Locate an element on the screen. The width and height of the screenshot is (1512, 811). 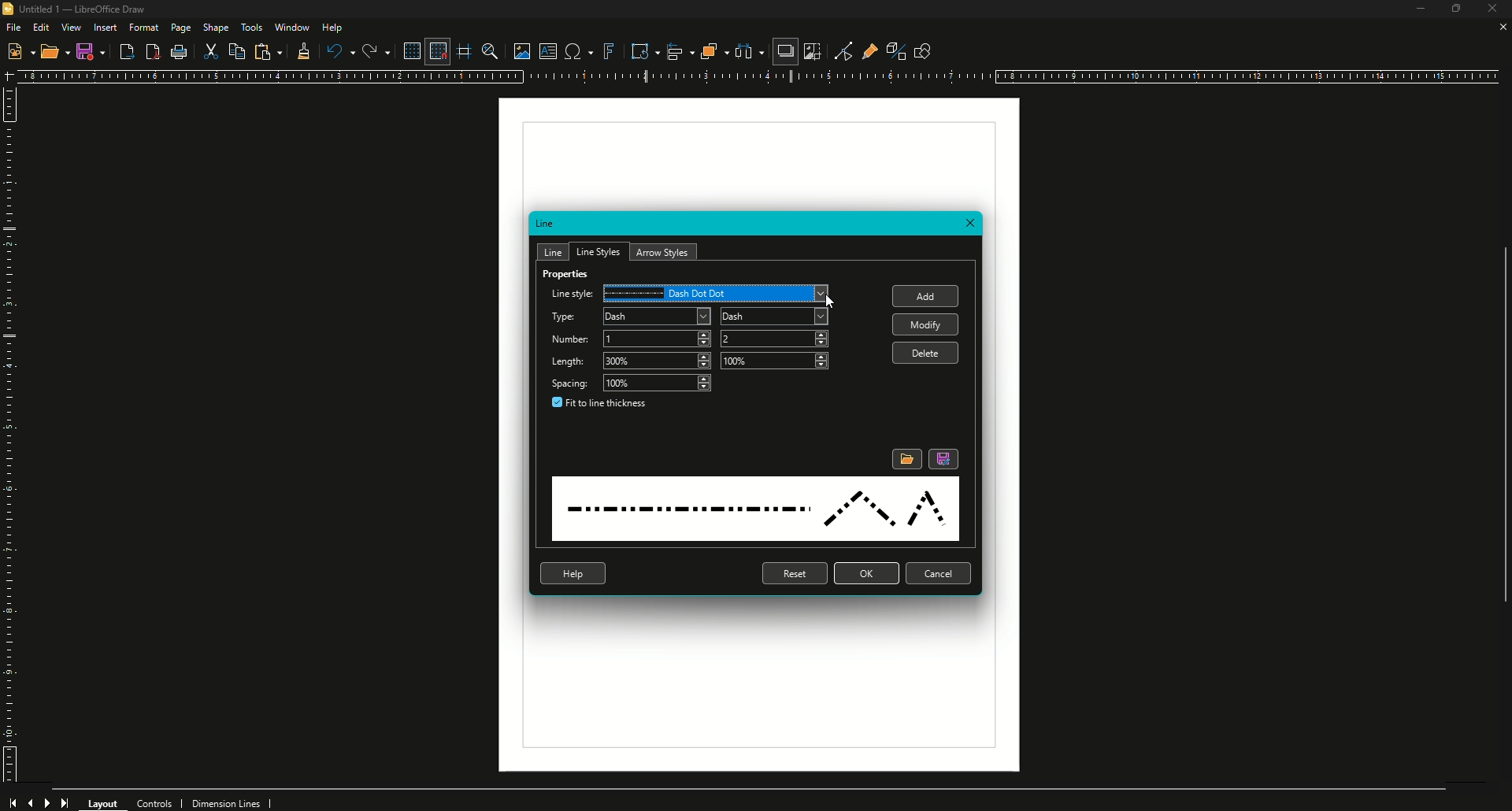
Show Gluepoint Functions is located at coordinates (865, 50).